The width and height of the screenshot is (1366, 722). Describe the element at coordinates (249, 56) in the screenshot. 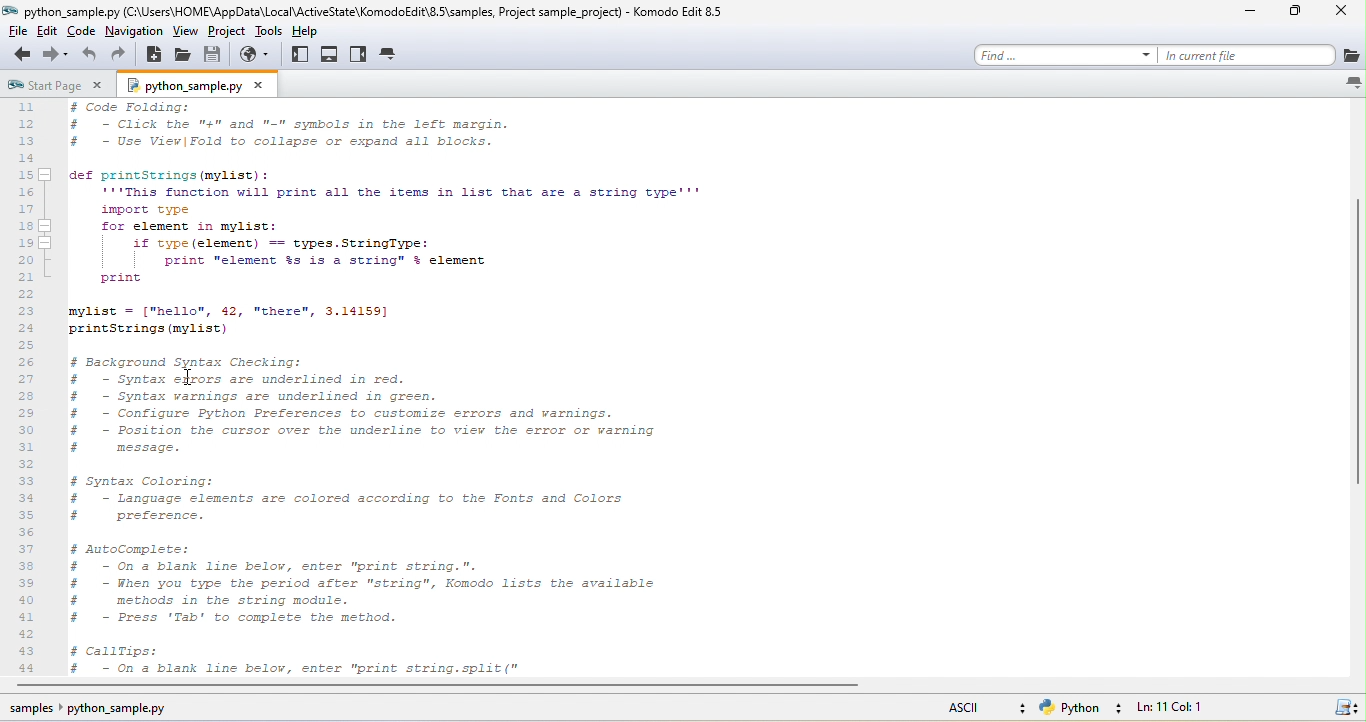

I see `browse` at that location.